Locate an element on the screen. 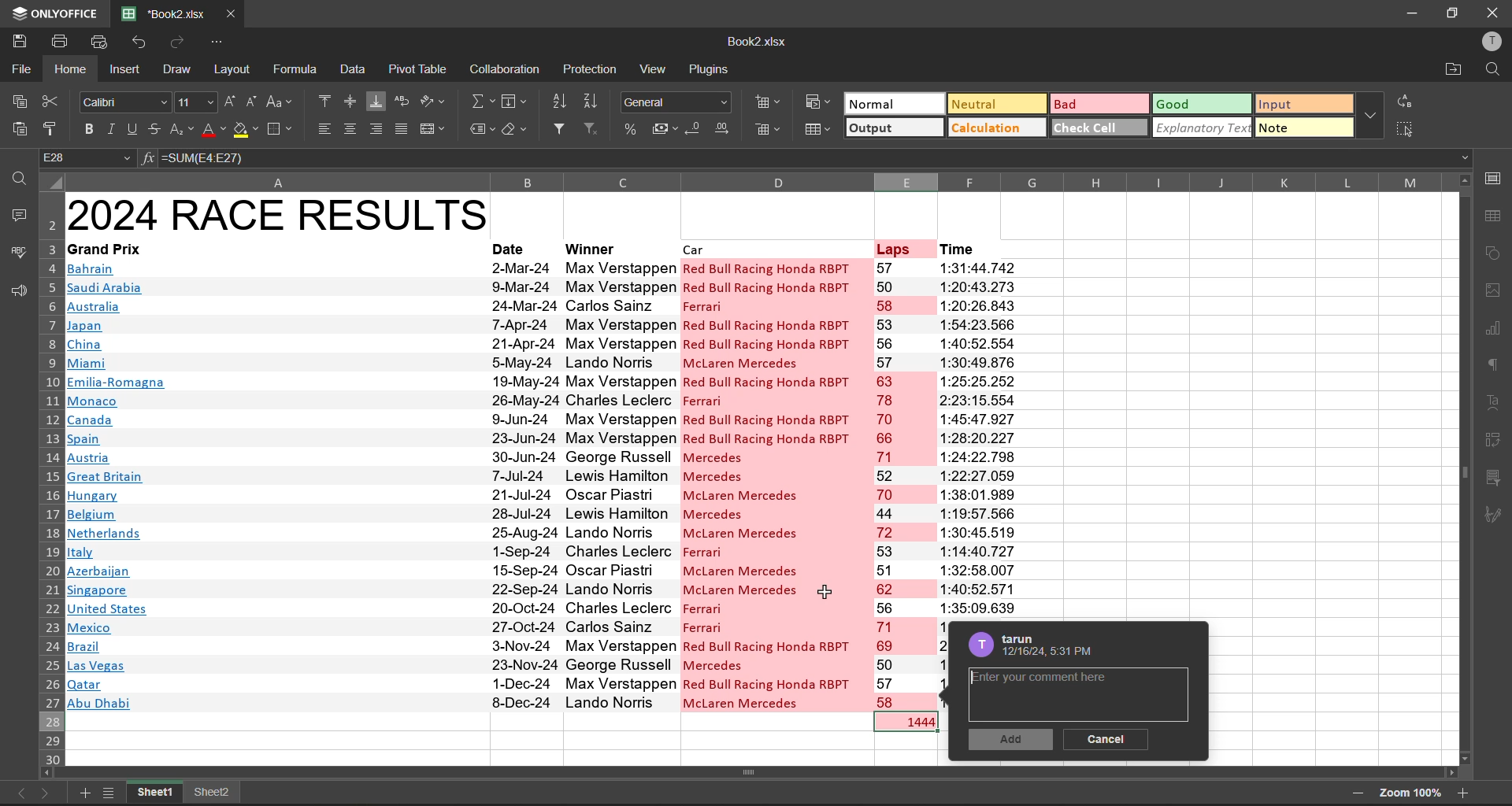 This screenshot has width=1512, height=806. italic is located at coordinates (113, 128).